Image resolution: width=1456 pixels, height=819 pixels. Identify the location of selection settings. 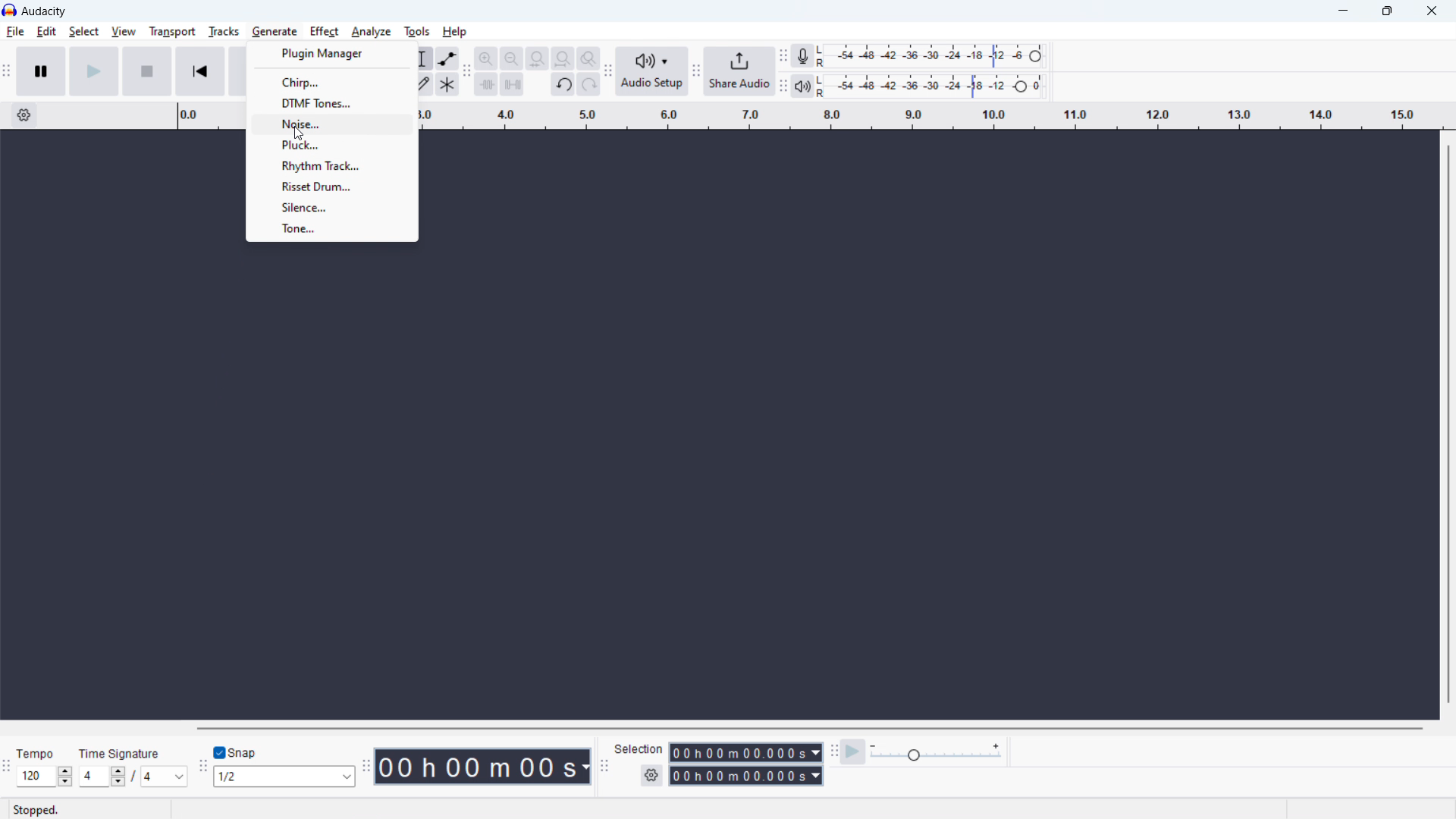
(651, 776).